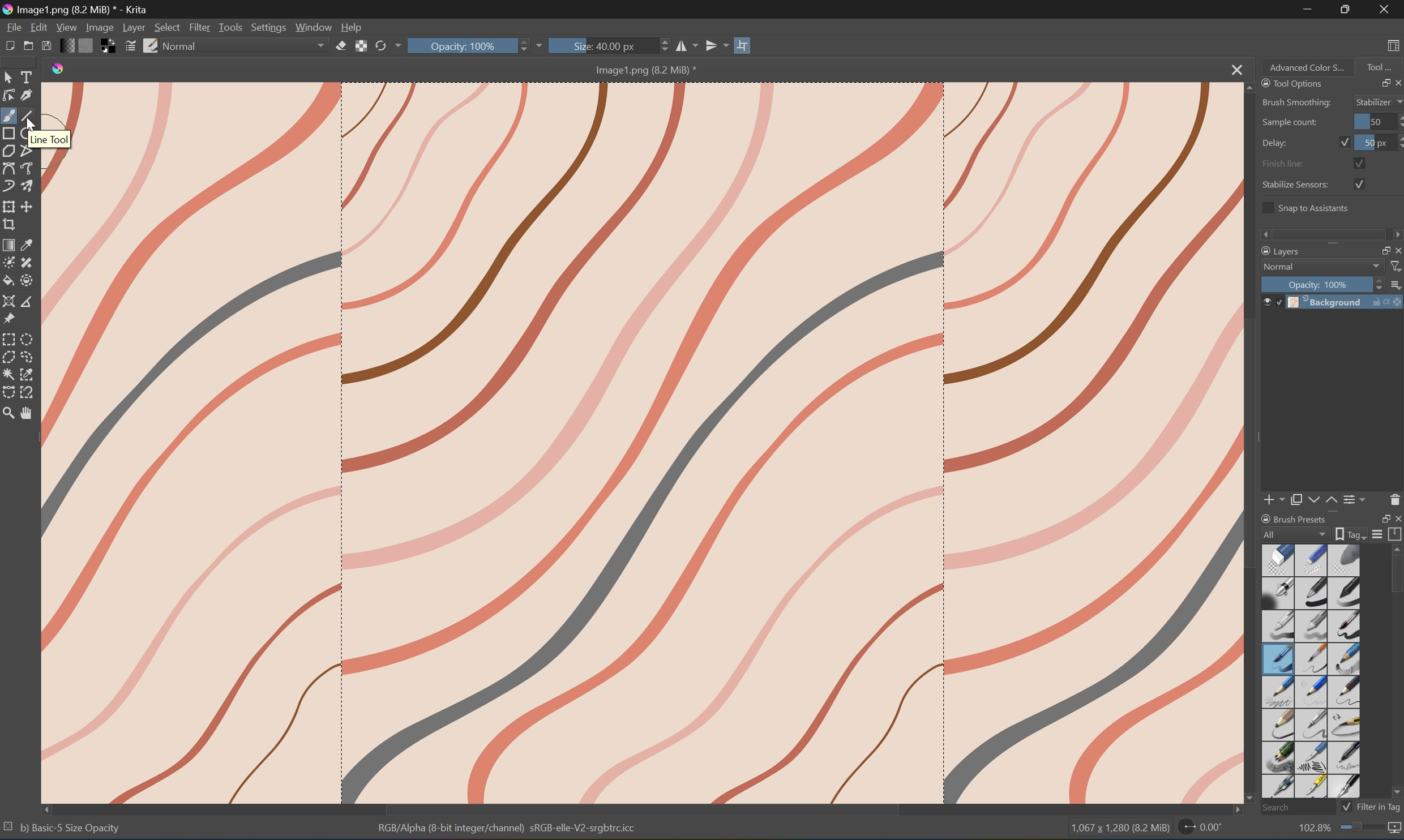 The image size is (1404, 840). Describe the element at coordinates (1295, 533) in the screenshot. I see `All` at that location.